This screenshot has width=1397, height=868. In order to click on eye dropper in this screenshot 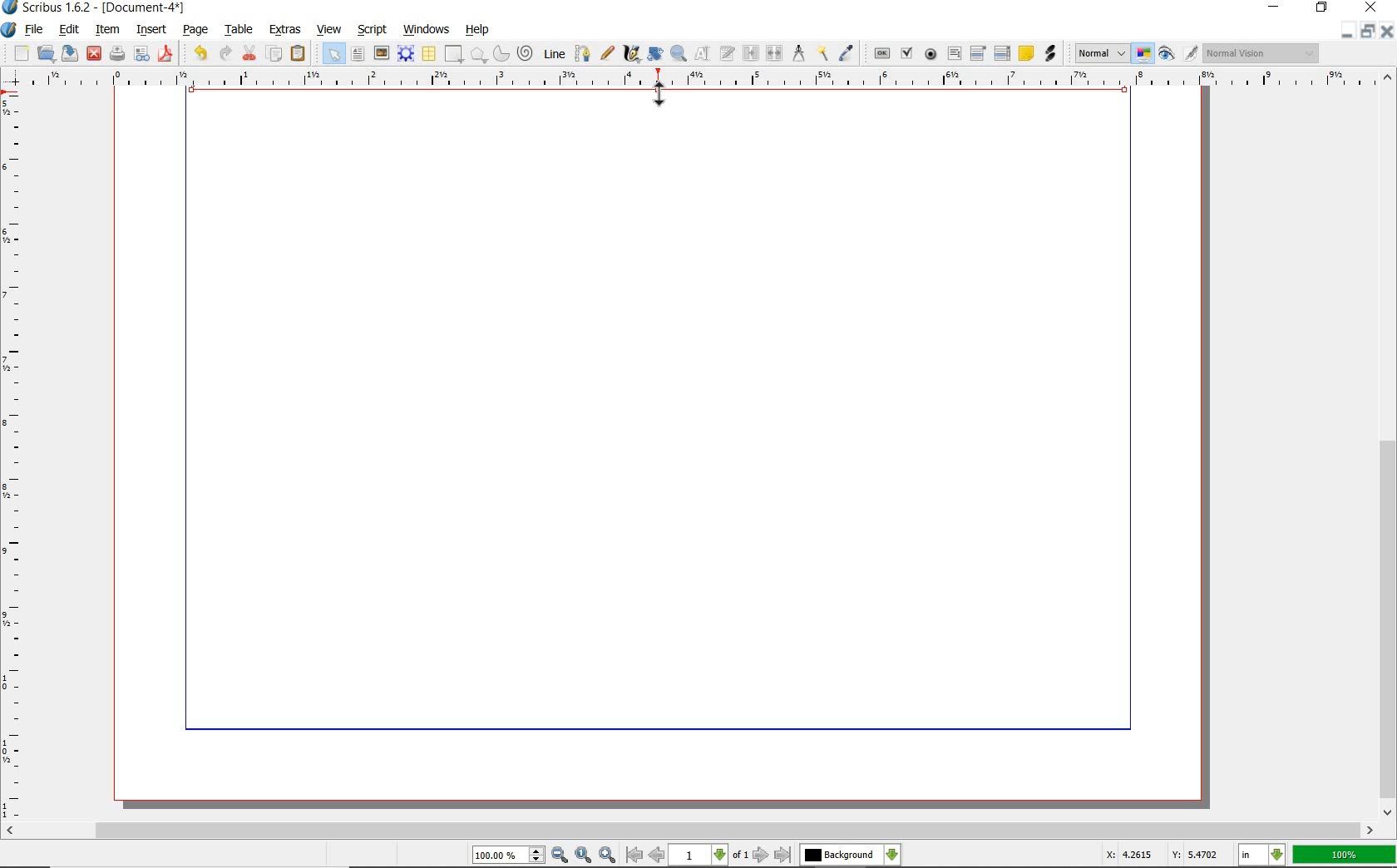, I will do `click(847, 51)`.